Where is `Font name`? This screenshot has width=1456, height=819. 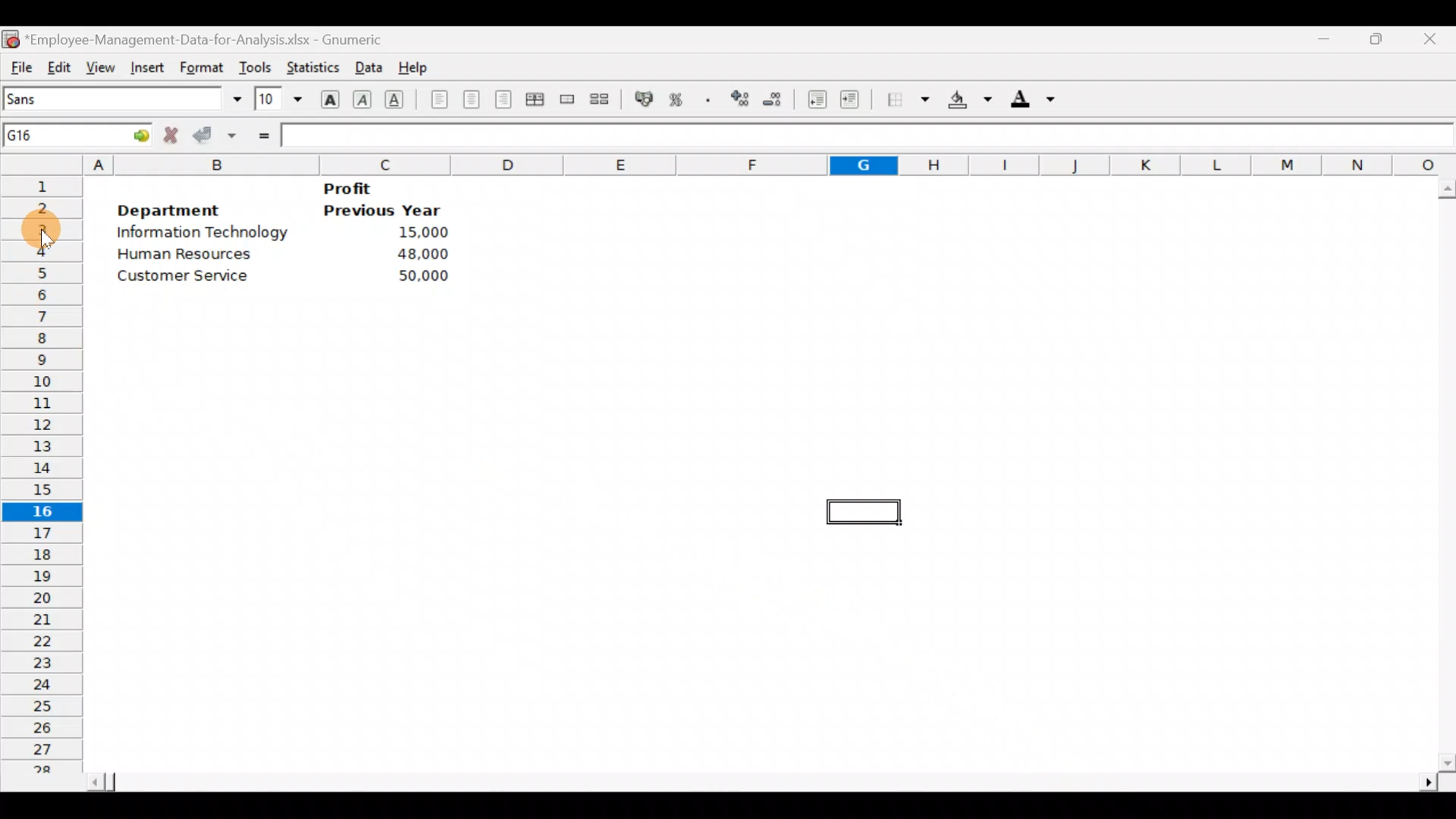 Font name is located at coordinates (124, 99).